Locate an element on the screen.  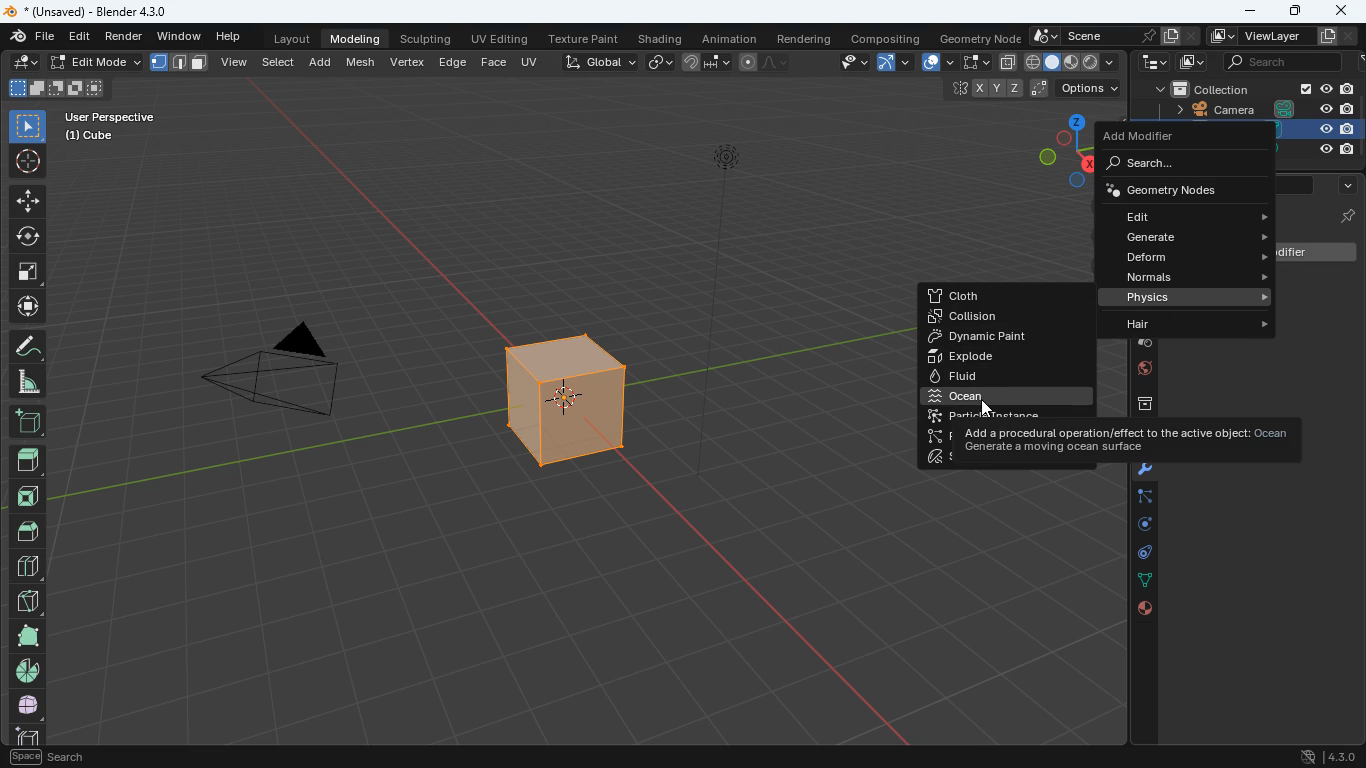
world is located at coordinates (1139, 371).